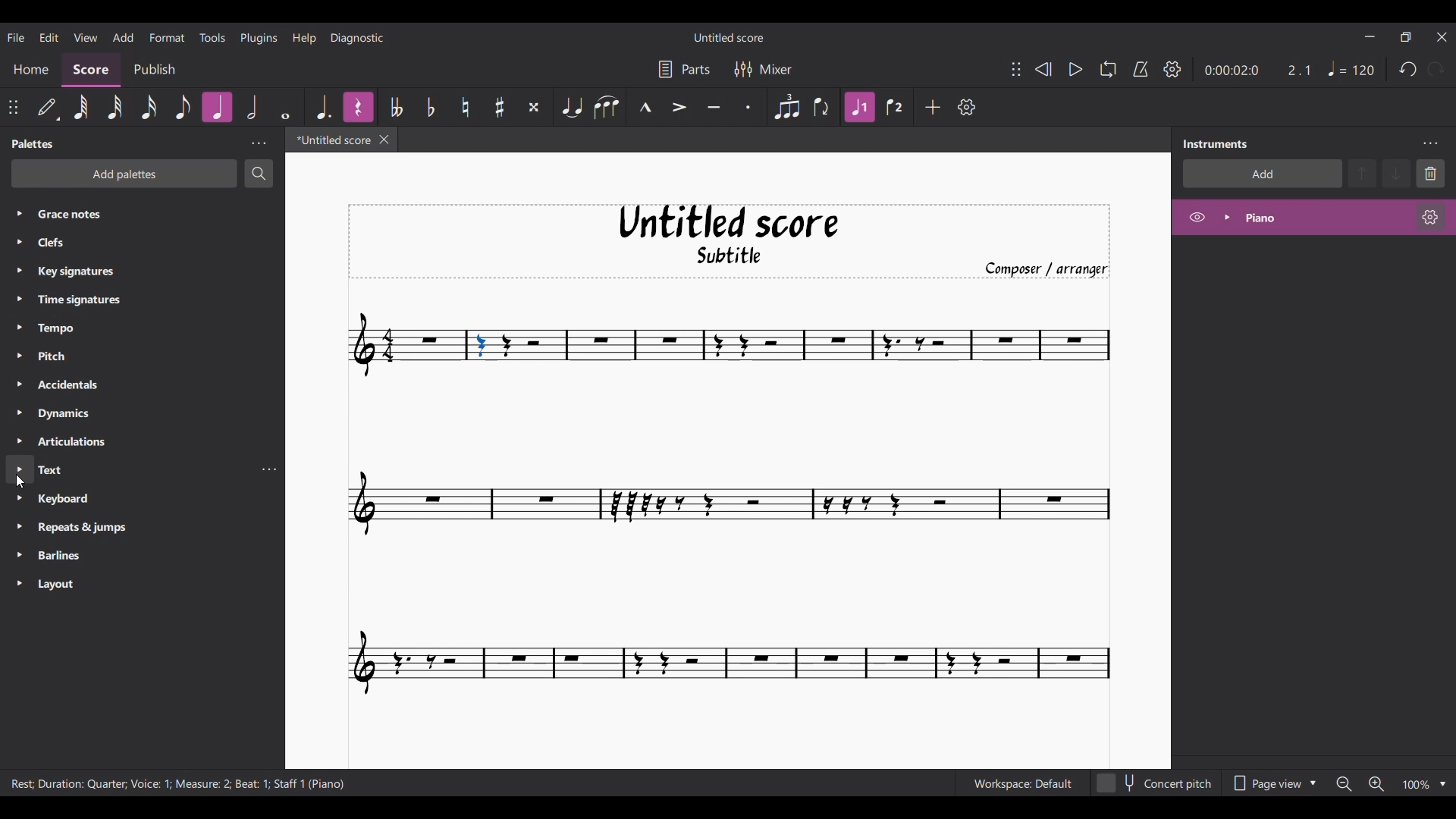 The height and width of the screenshot is (819, 1456). What do you see at coordinates (357, 38) in the screenshot?
I see `Diagnostic menu` at bounding box center [357, 38].